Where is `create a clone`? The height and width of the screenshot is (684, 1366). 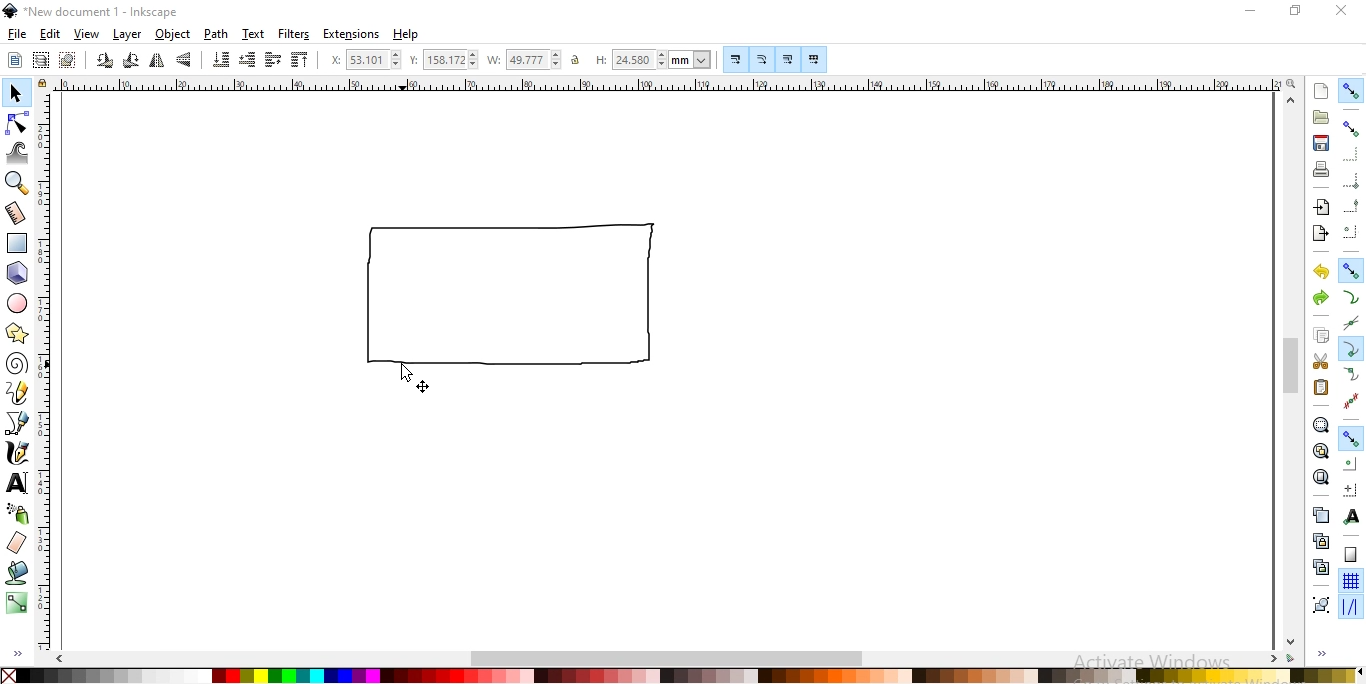
create a clone is located at coordinates (1319, 541).